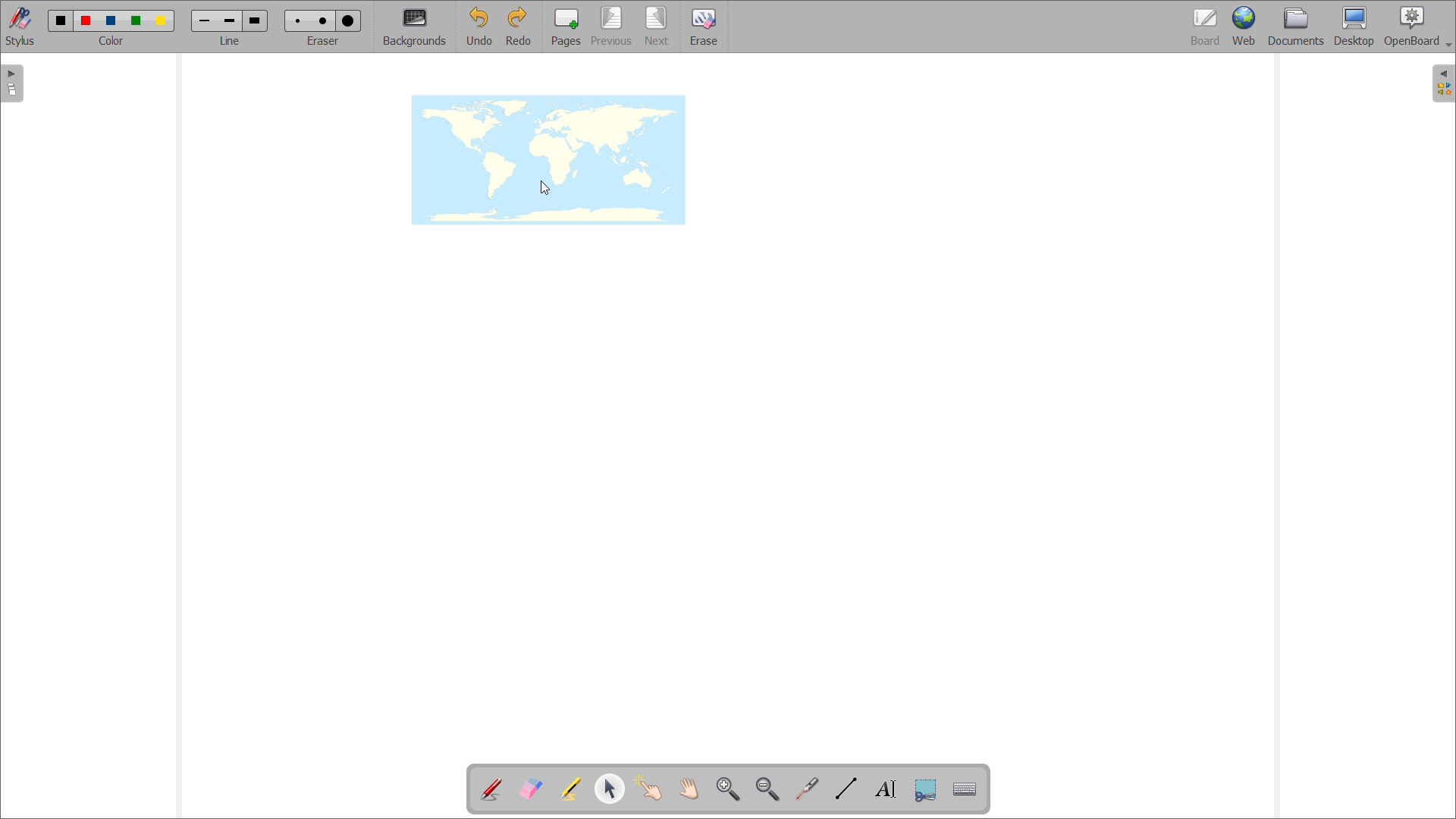 Image resolution: width=1456 pixels, height=819 pixels. I want to click on scroll page, so click(689, 788).